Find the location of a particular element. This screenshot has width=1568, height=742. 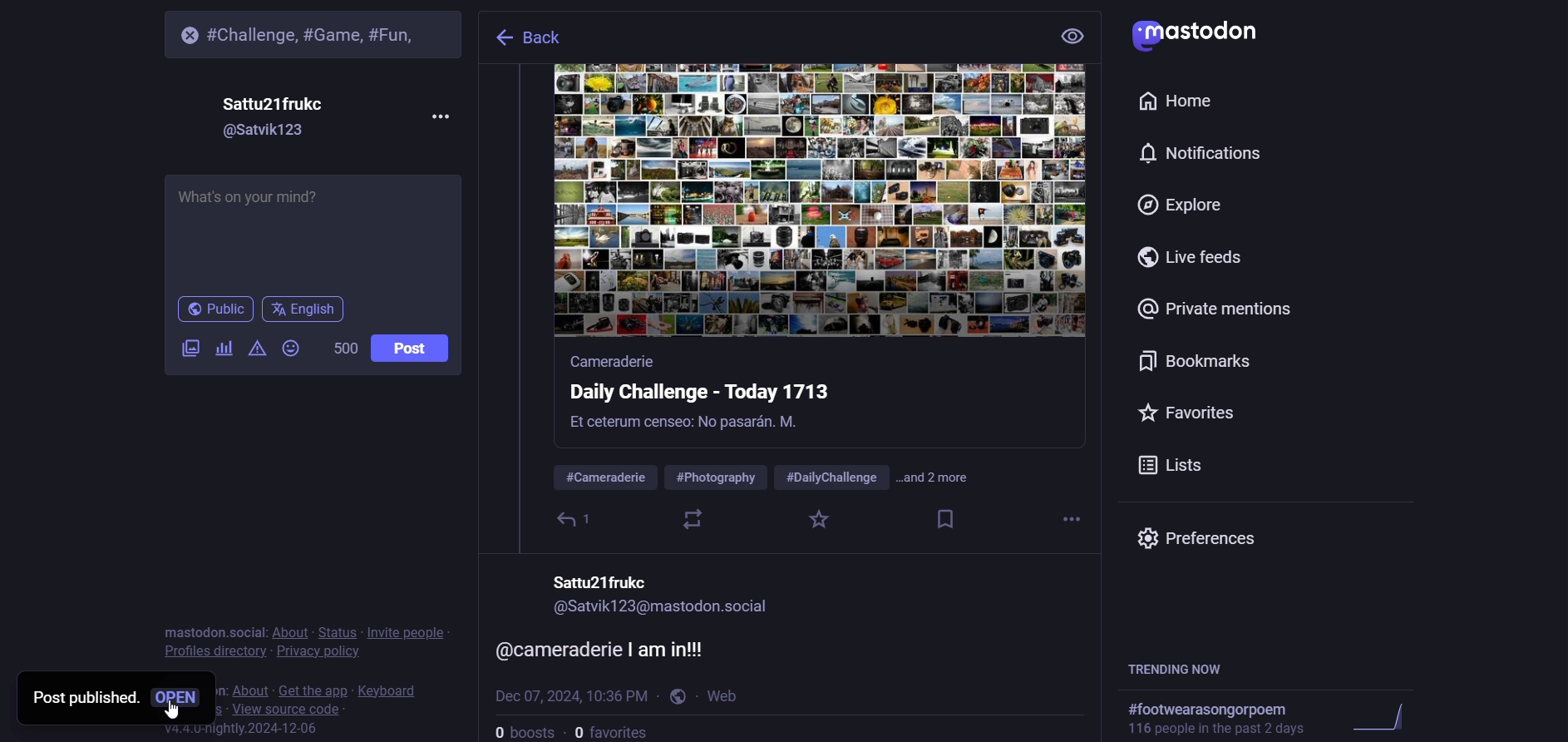

(@Satvik123@mastodon.social is located at coordinates (680, 611).